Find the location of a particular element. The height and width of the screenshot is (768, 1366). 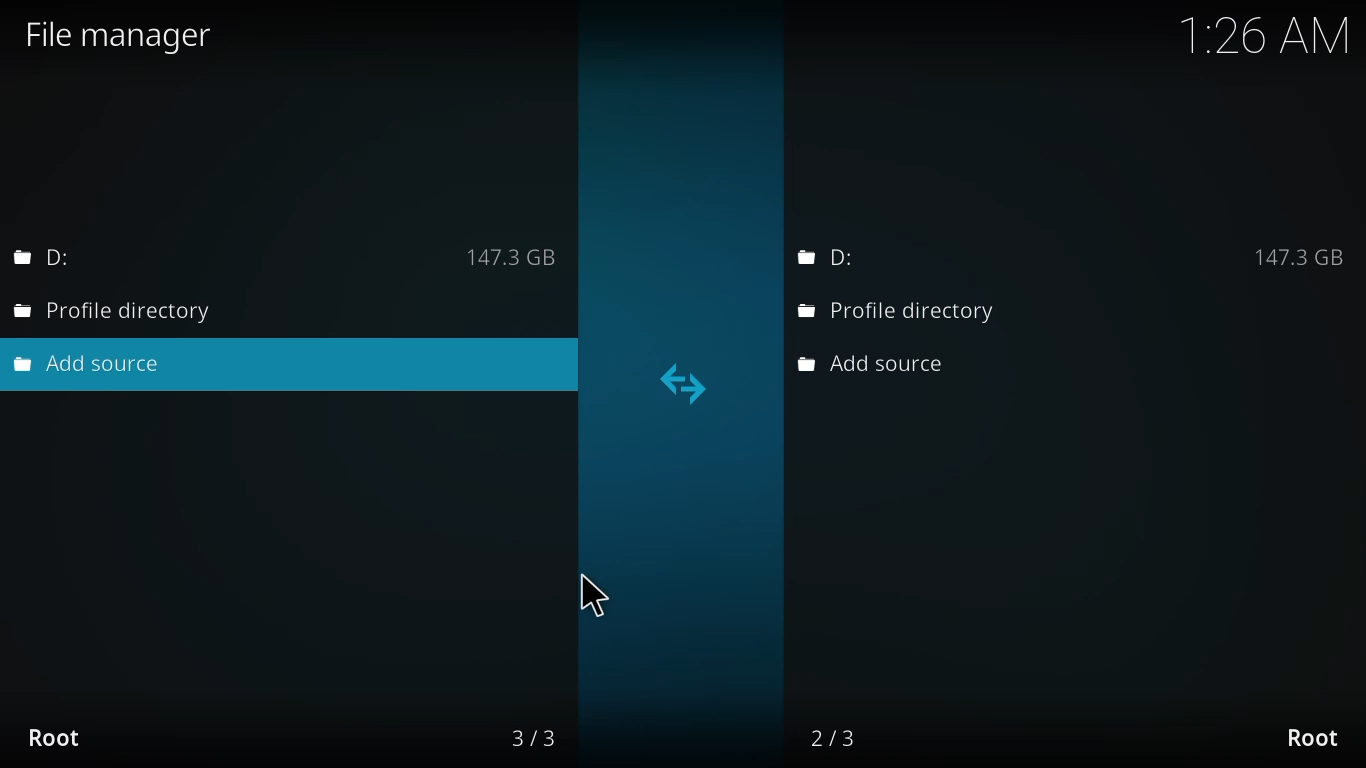

File manager is located at coordinates (115, 33).